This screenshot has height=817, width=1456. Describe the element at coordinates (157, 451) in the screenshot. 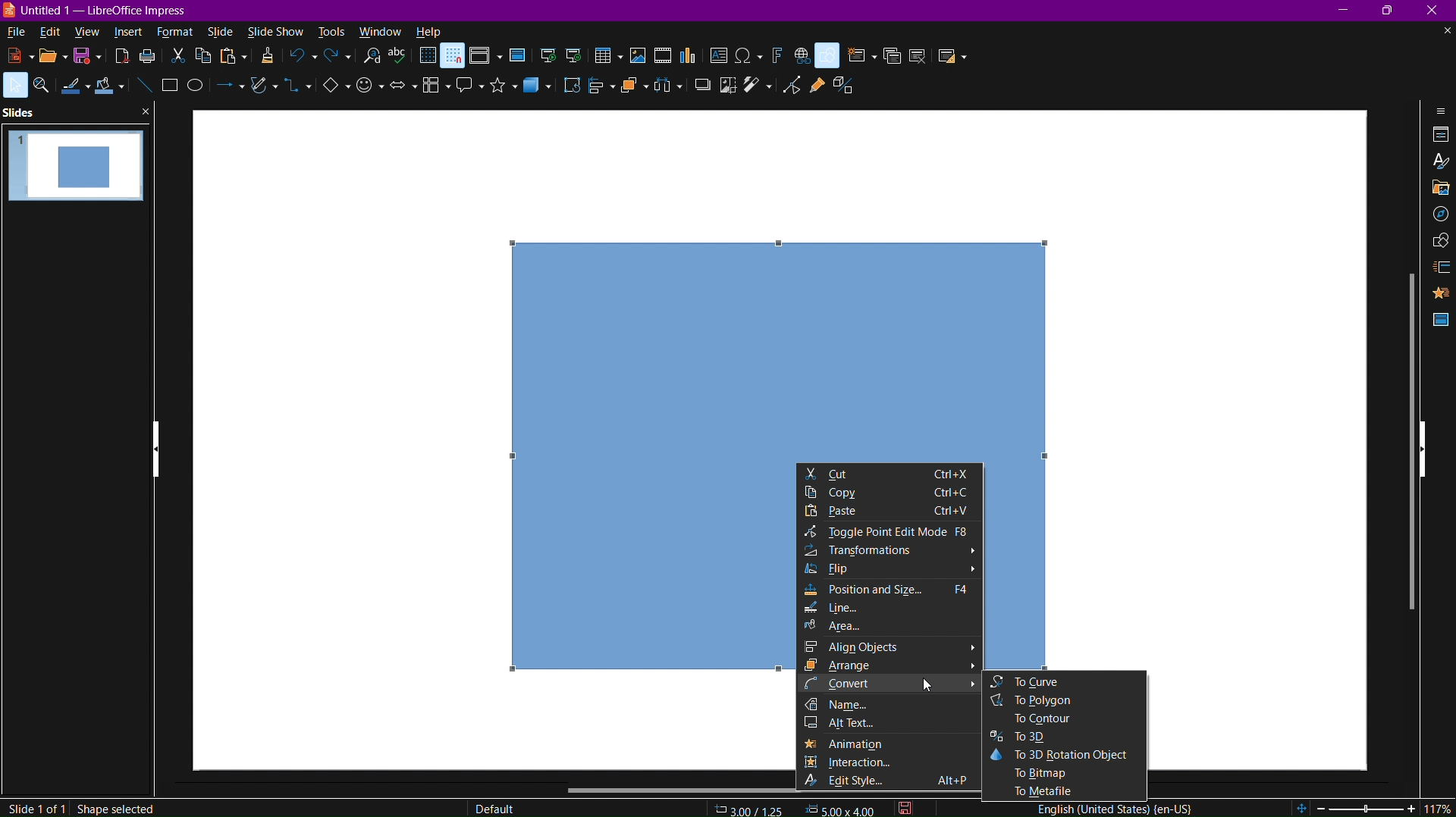

I see `Show` at that location.